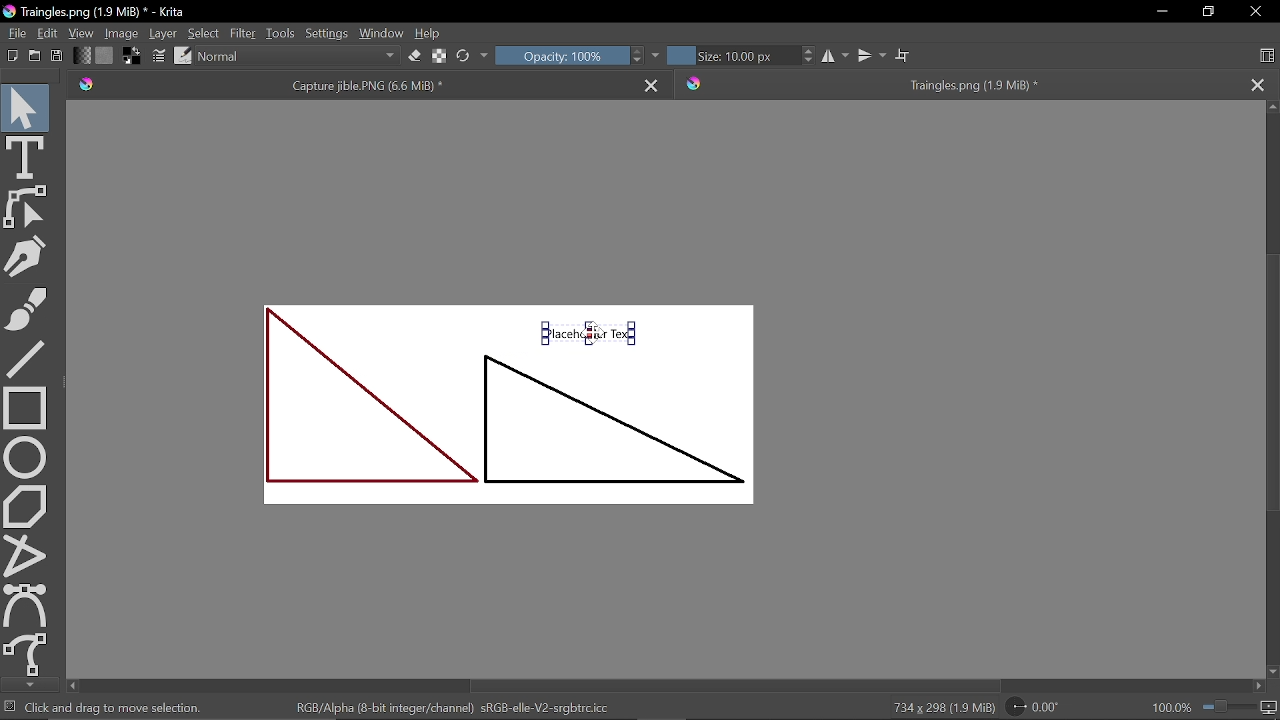 The image size is (1280, 720). What do you see at coordinates (514, 419) in the screenshot?
I see `Placeholder Text` at bounding box center [514, 419].